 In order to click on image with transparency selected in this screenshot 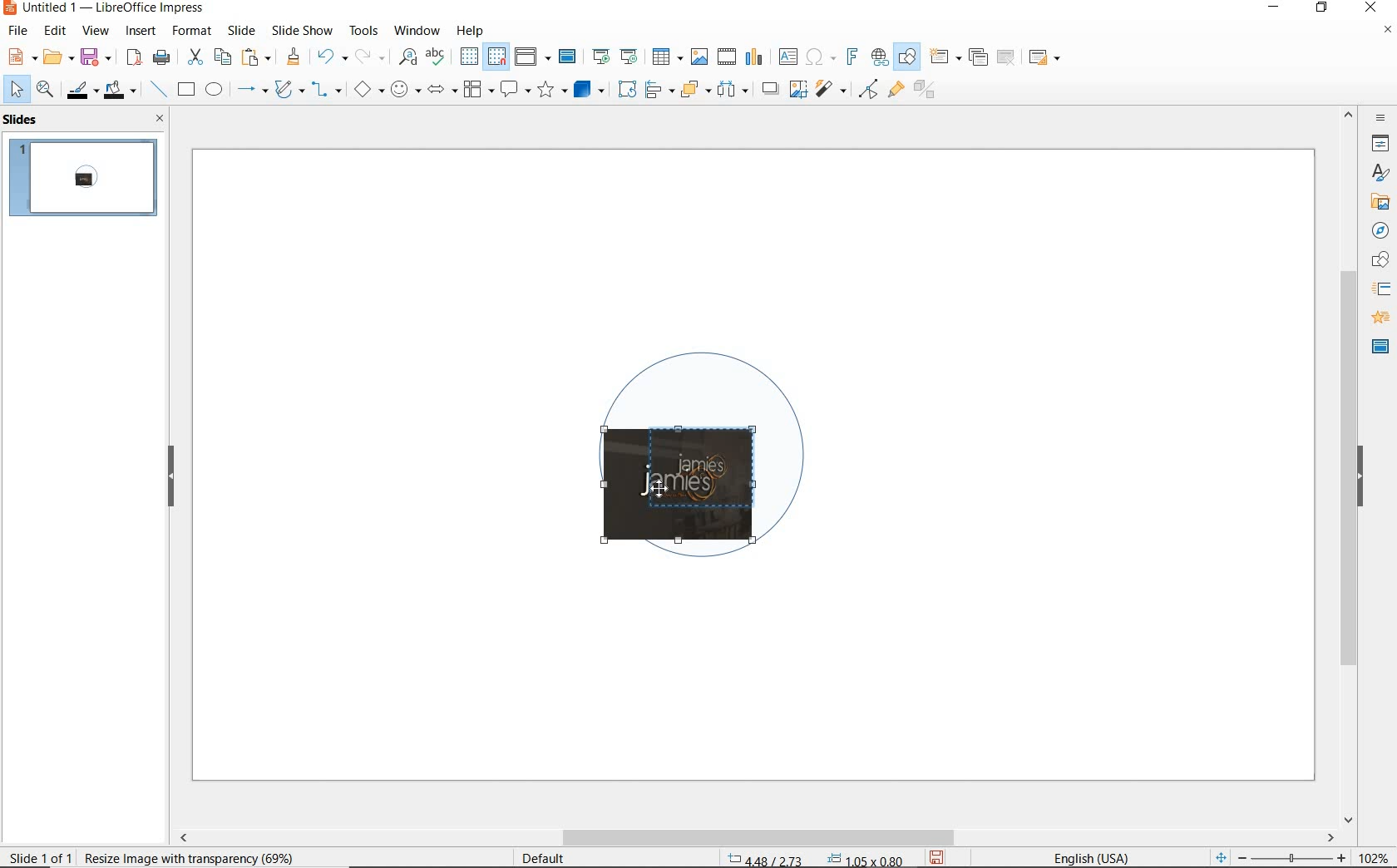, I will do `click(193, 856)`.